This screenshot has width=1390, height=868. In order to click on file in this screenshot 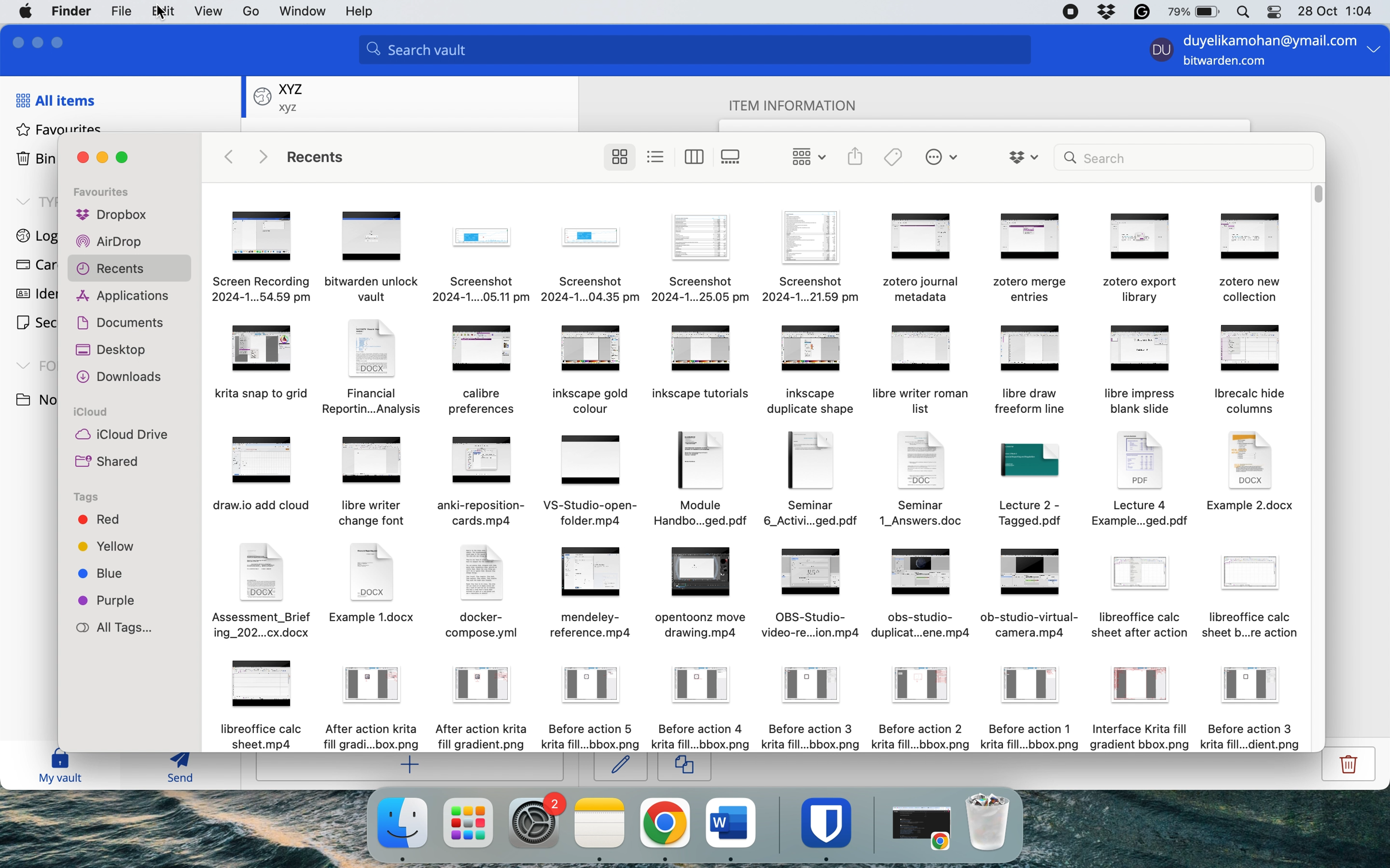, I will do `click(119, 12)`.